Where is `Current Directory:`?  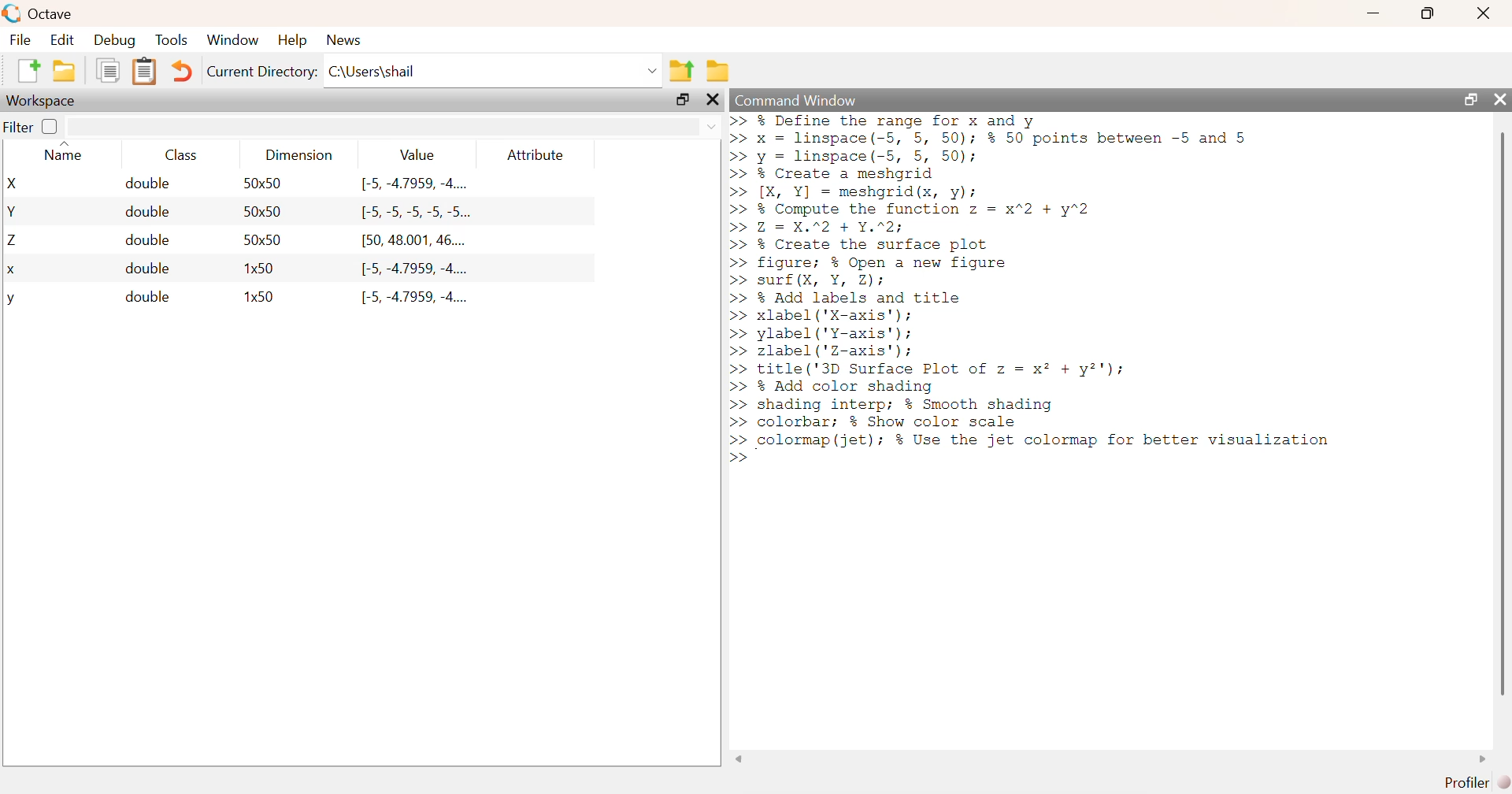
Current Directory: is located at coordinates (263, 72).